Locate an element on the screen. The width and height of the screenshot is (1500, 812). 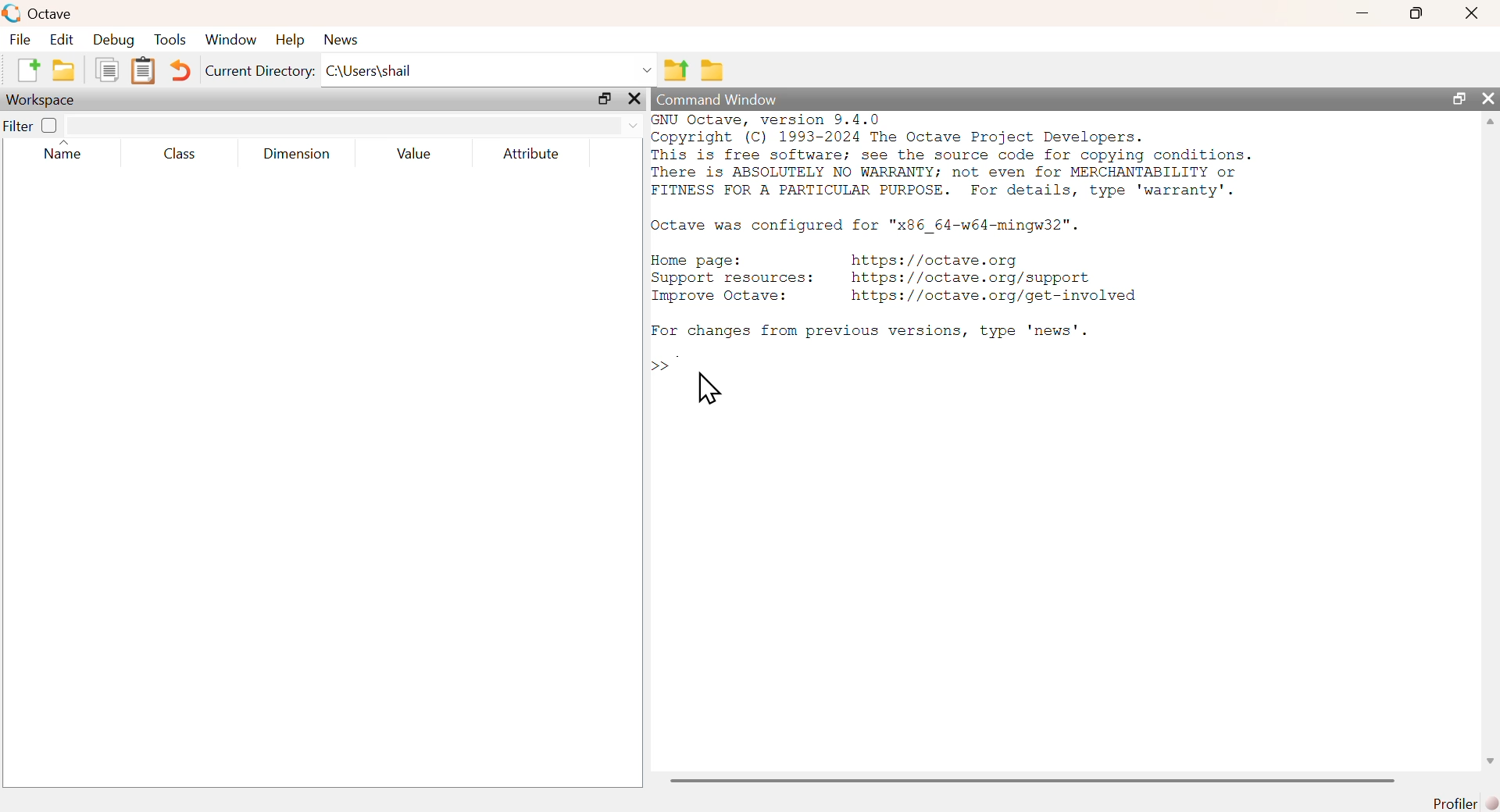
name is located at coordinates (62, 150).